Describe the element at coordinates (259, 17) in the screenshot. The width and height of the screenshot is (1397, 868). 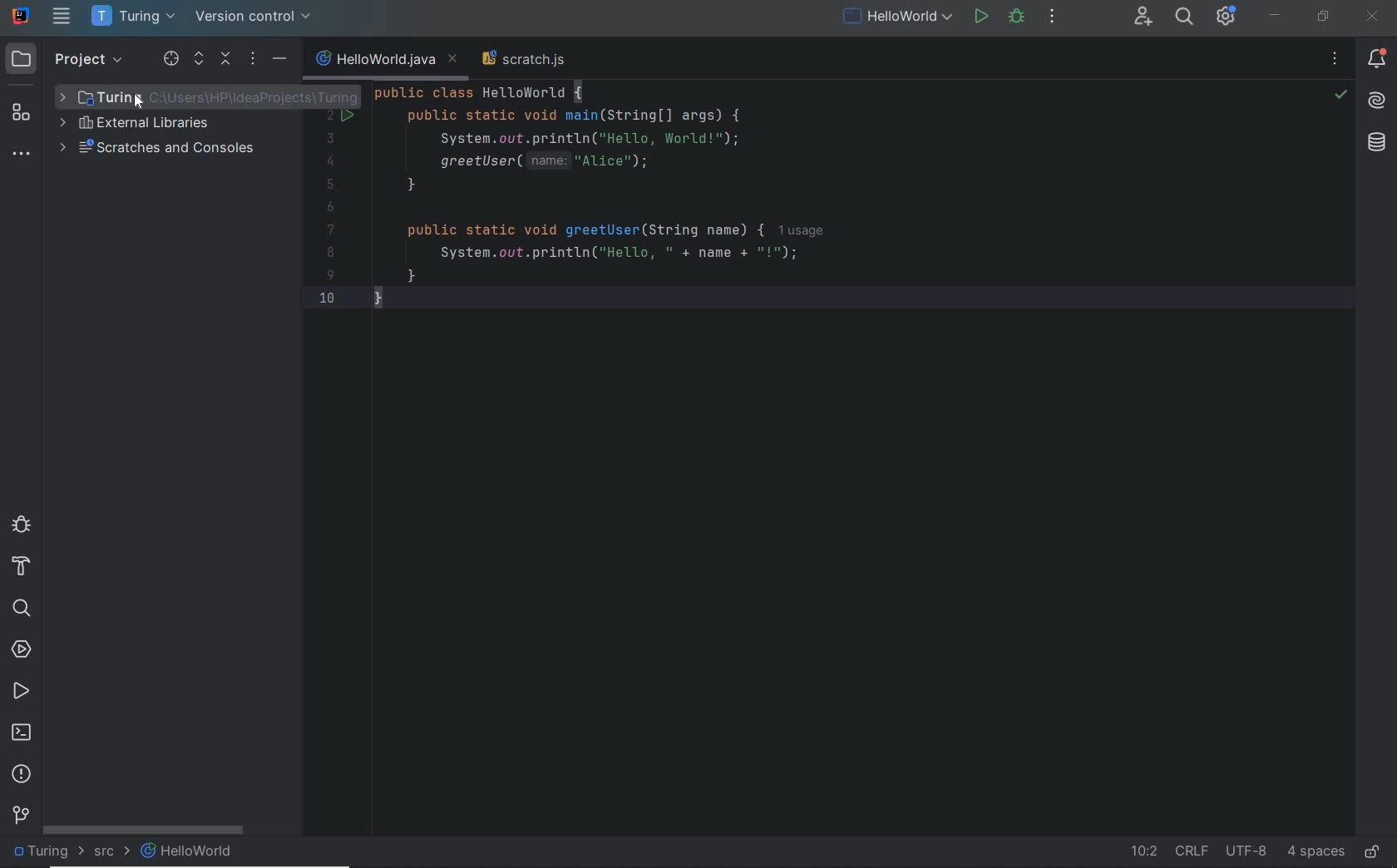
I see `version control` at that location.